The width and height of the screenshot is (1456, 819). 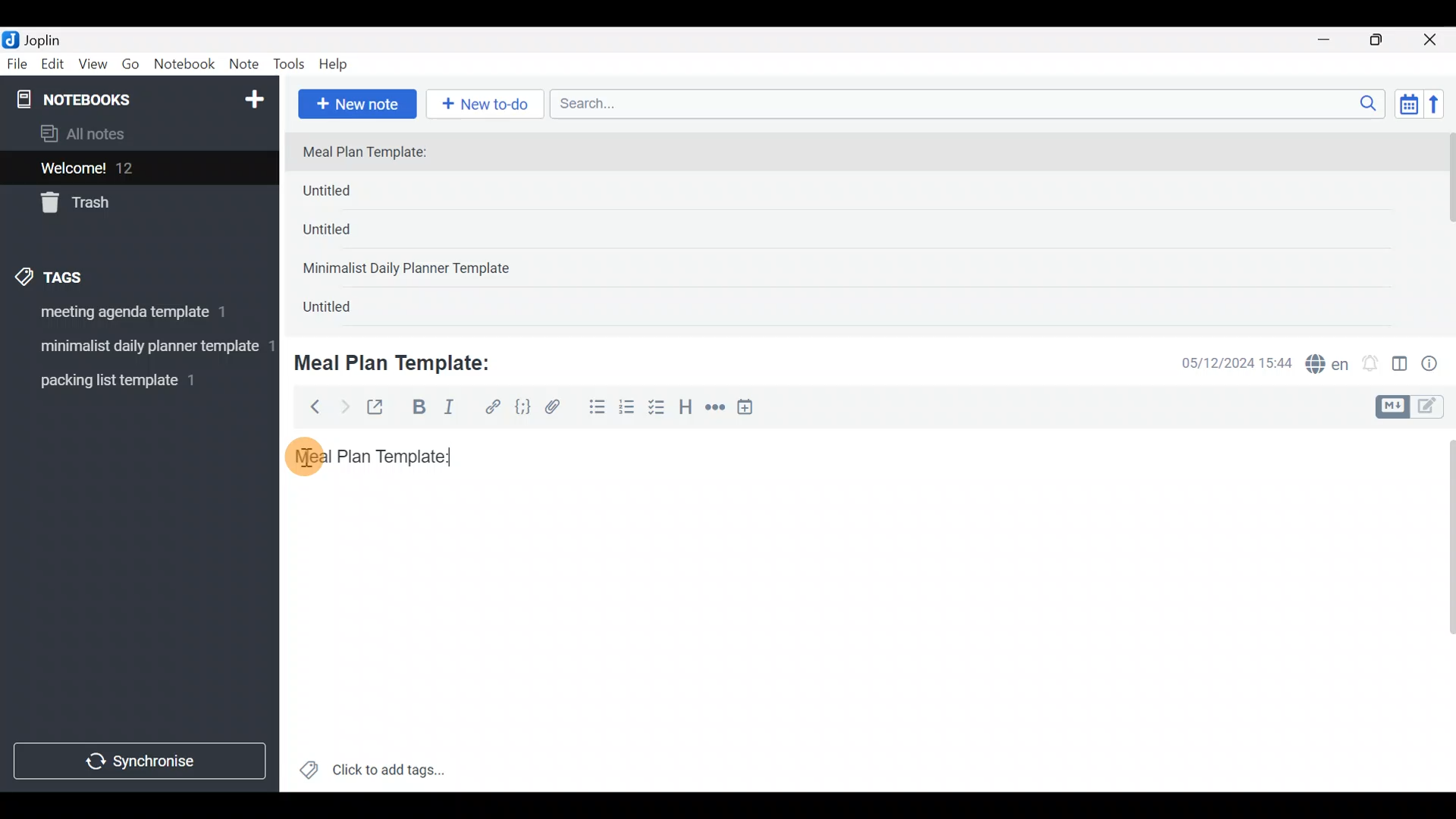 What do you see at coordinates (658, 409) in the screenshot?
I see `Checkbox` at bounding box center [658, 409].